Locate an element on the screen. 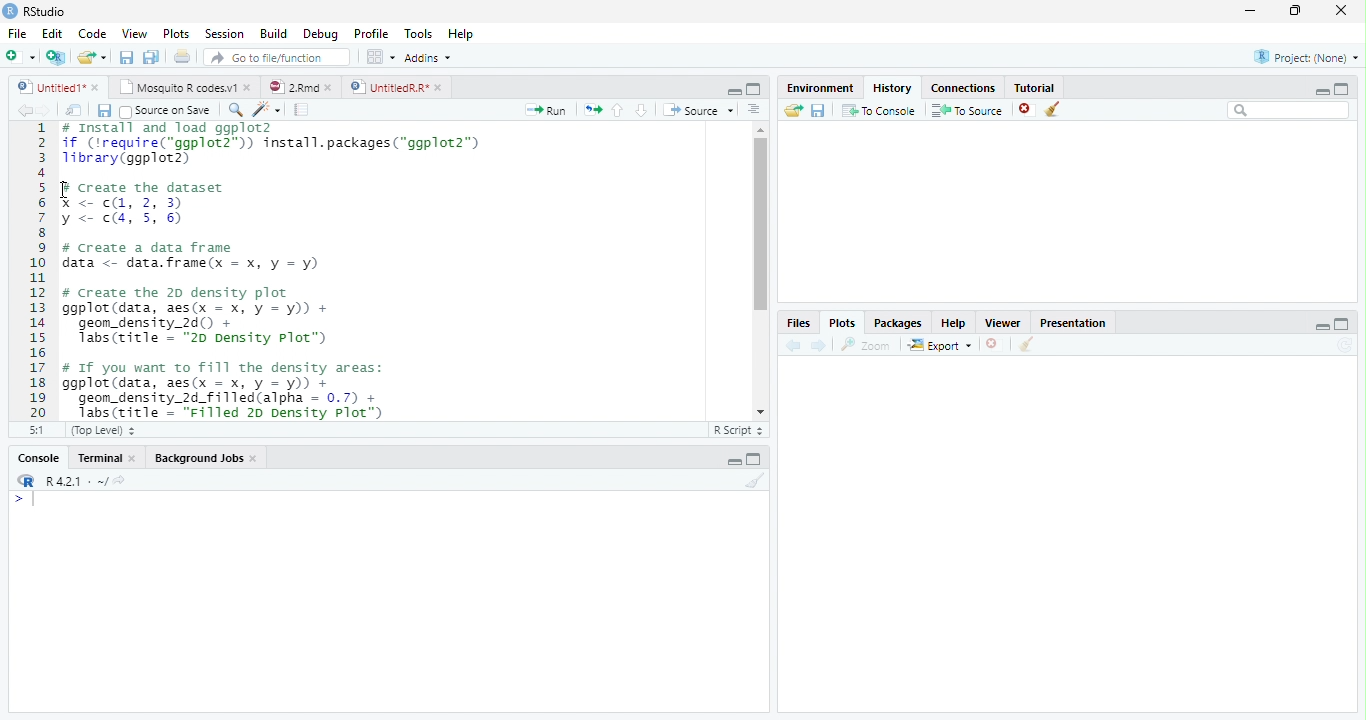 This screenshot has width=1366, height=720. save workspace is located at coordinates (820, 111).